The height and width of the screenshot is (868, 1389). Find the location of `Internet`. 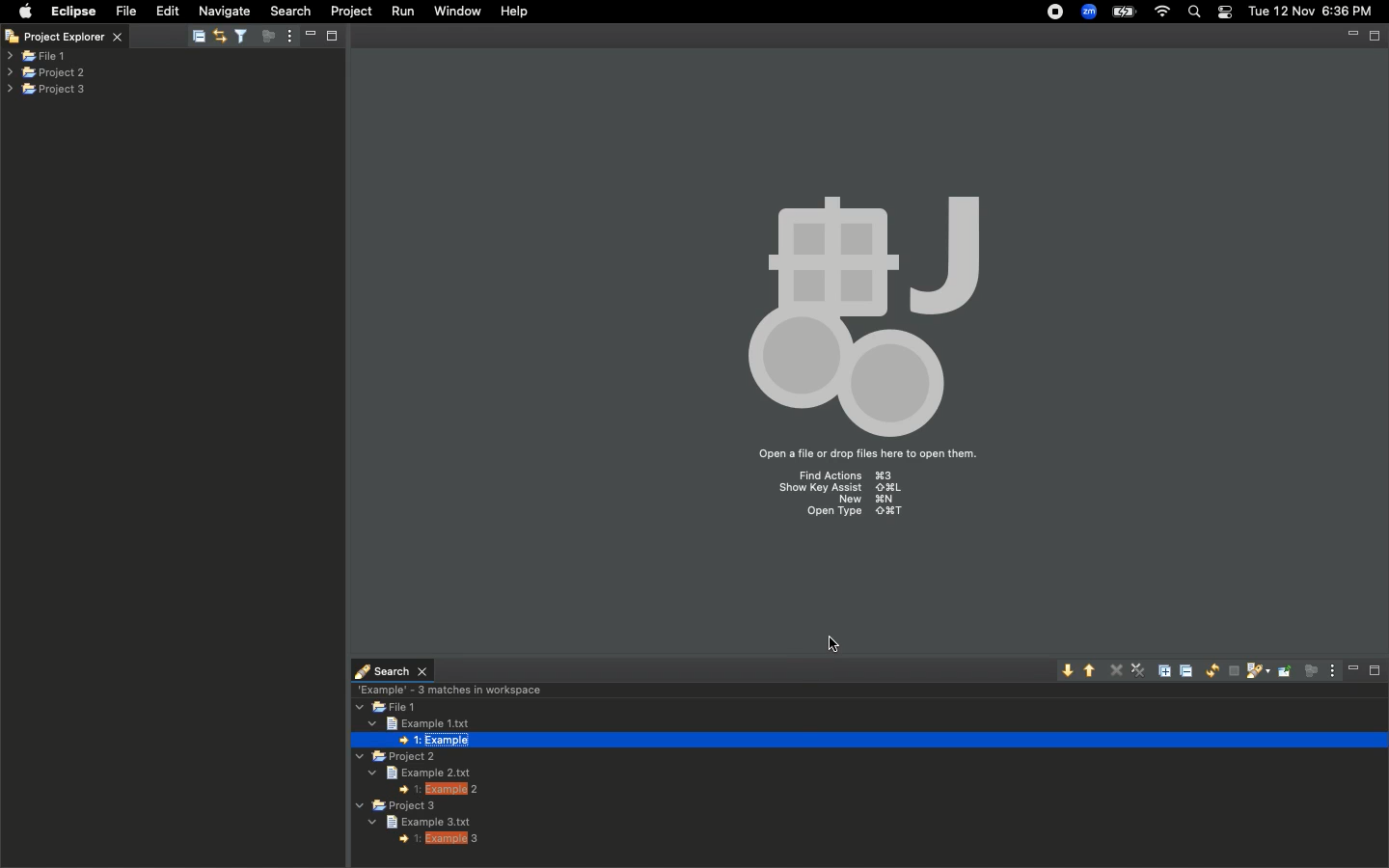

Internet is located at coordinates (1162, 13).